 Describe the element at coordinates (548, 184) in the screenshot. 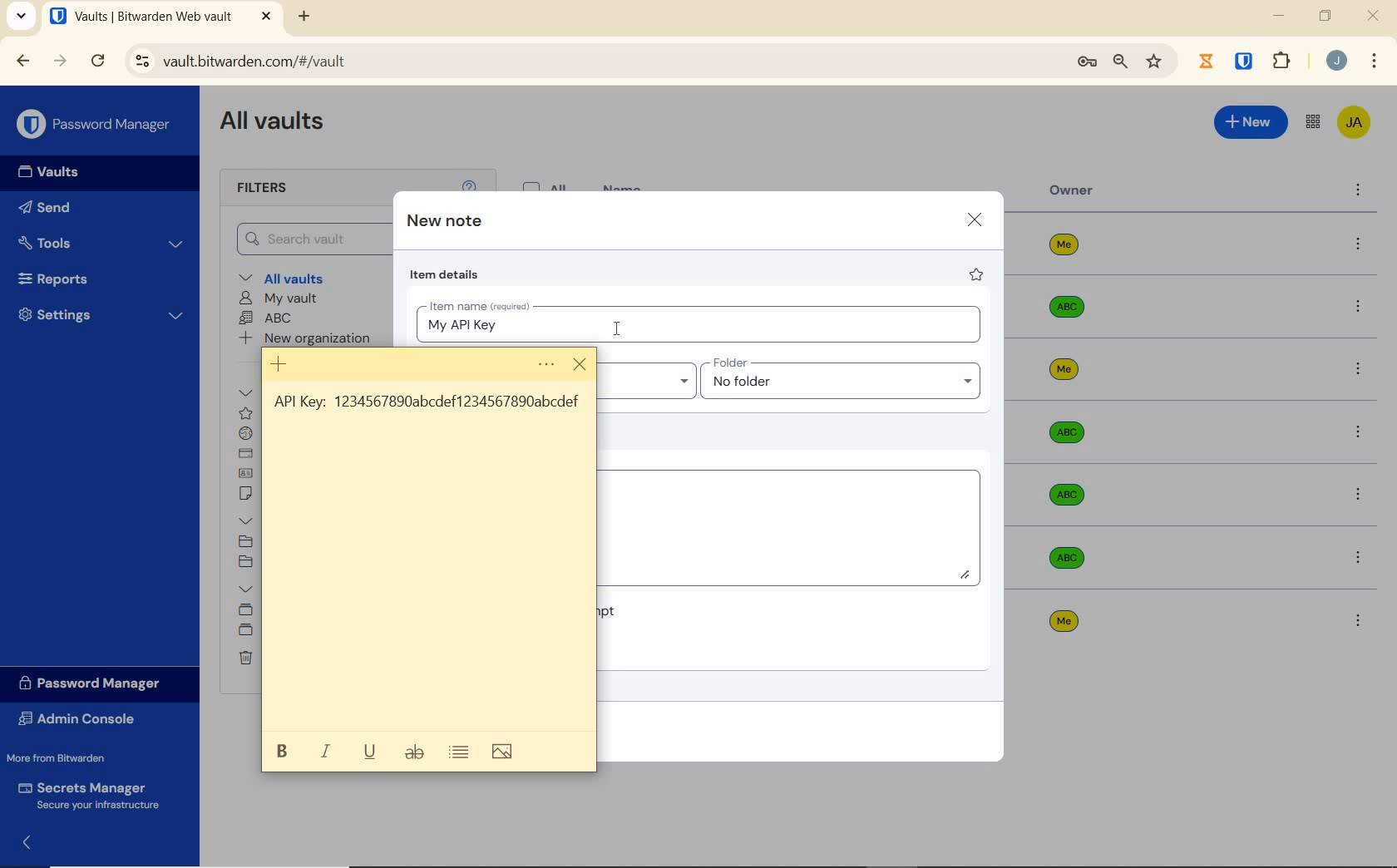

I see `All` at that location.